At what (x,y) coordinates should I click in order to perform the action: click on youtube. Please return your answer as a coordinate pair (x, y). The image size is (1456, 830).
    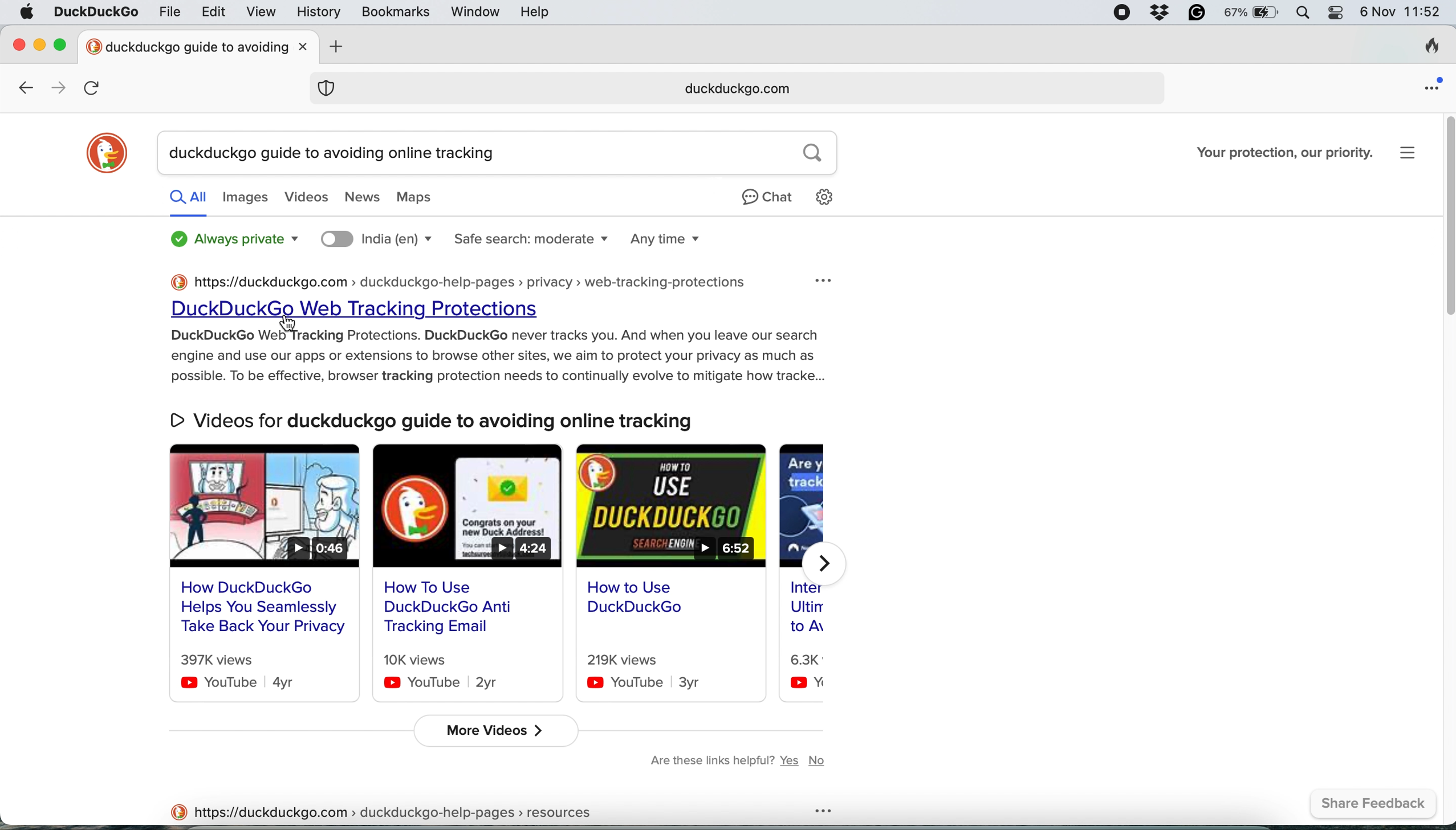
    Looking at the image, I should click on (189, 686).